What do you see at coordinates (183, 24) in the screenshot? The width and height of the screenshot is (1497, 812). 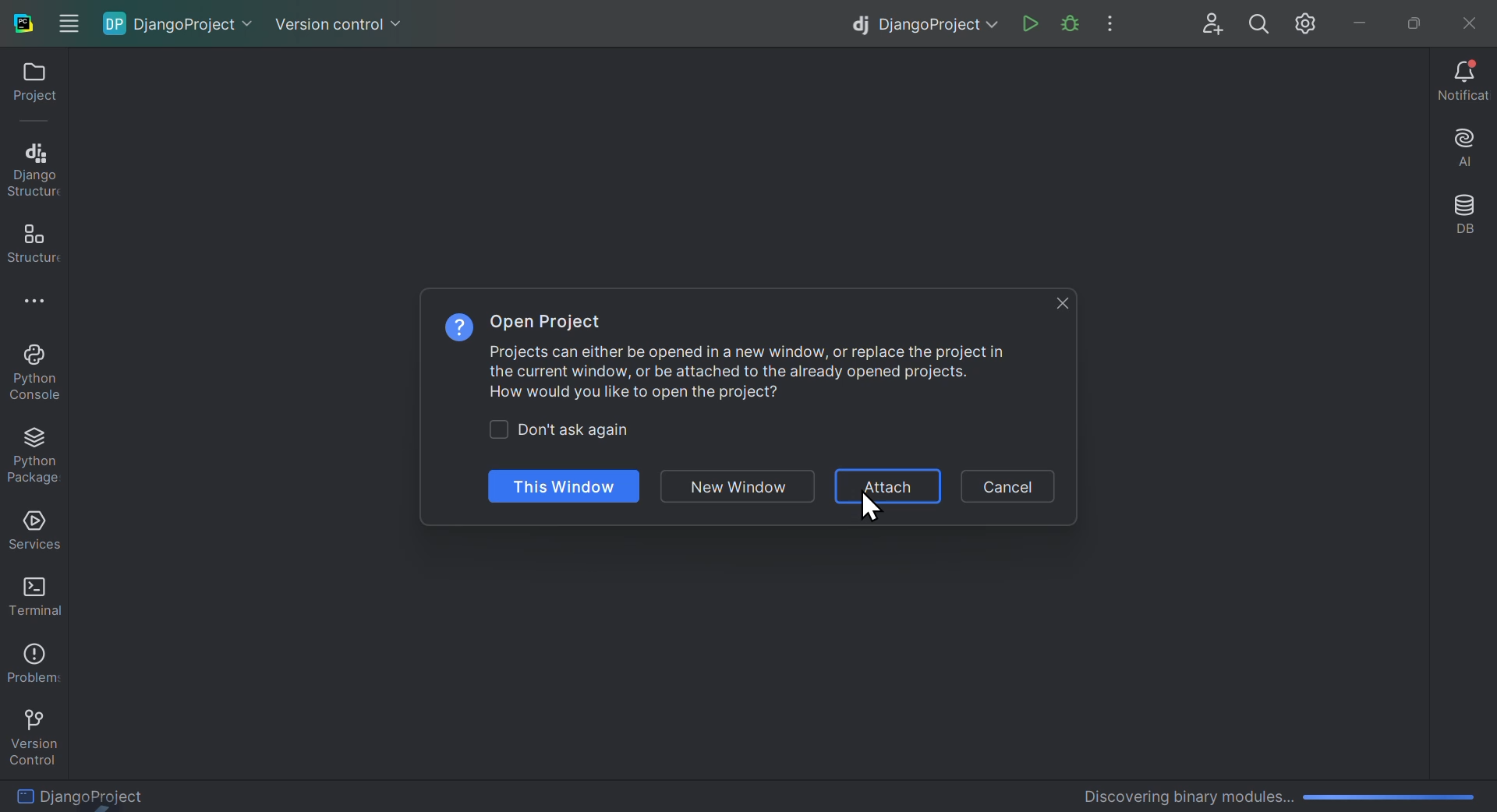 I see `Django project` at bounding box center [183, 24].